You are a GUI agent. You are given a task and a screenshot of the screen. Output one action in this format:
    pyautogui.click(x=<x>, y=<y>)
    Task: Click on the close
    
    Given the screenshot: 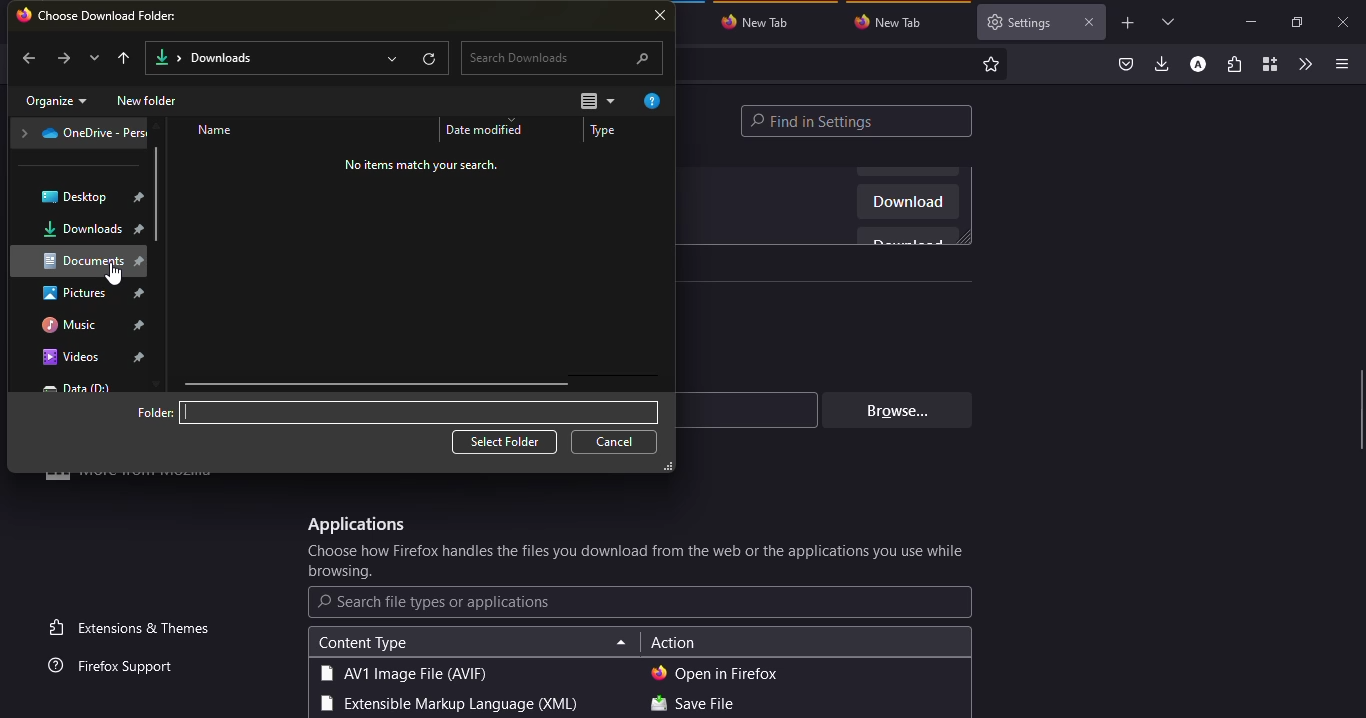 What is the action you would take?
    pyautogui.click(x=1088, y=22)
    